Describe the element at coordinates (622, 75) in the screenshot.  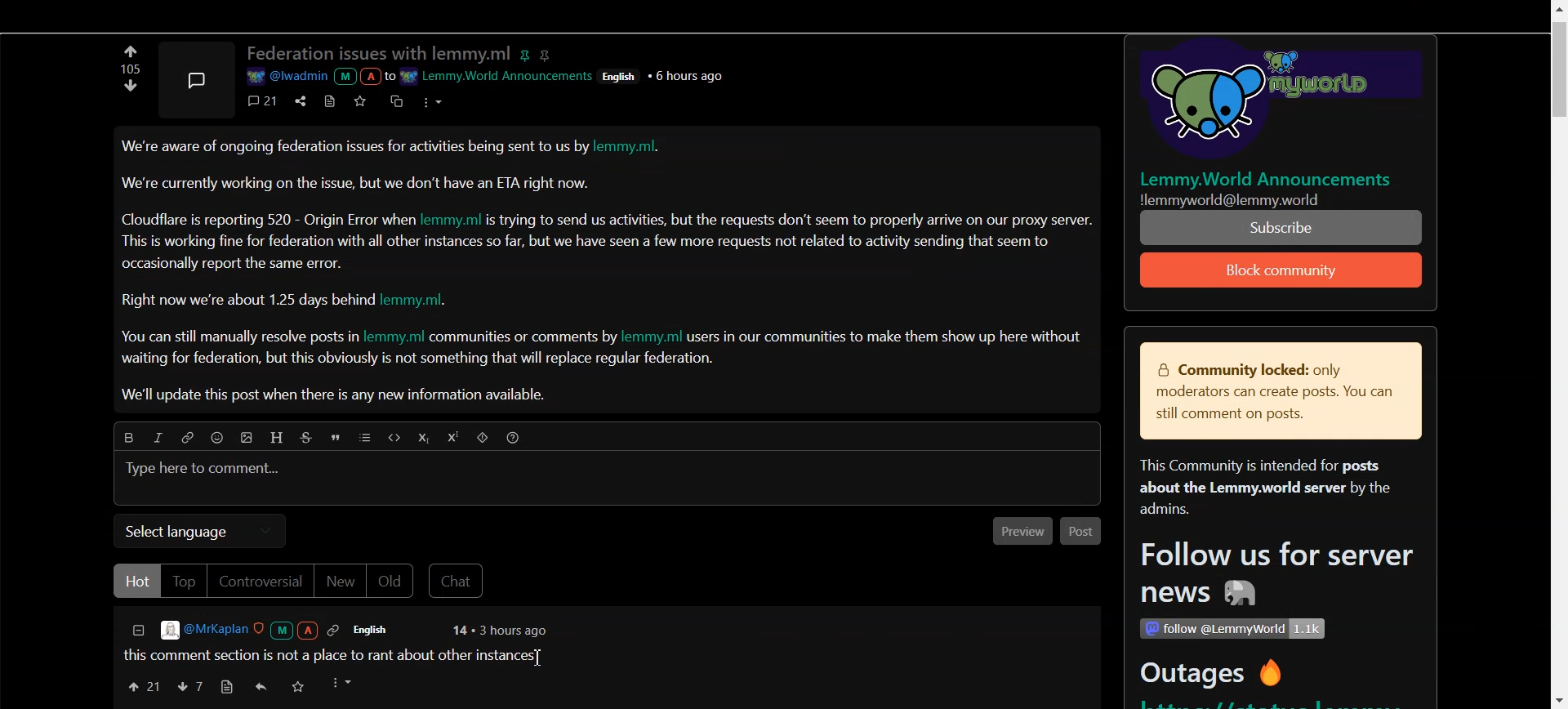
I see `` at that location.